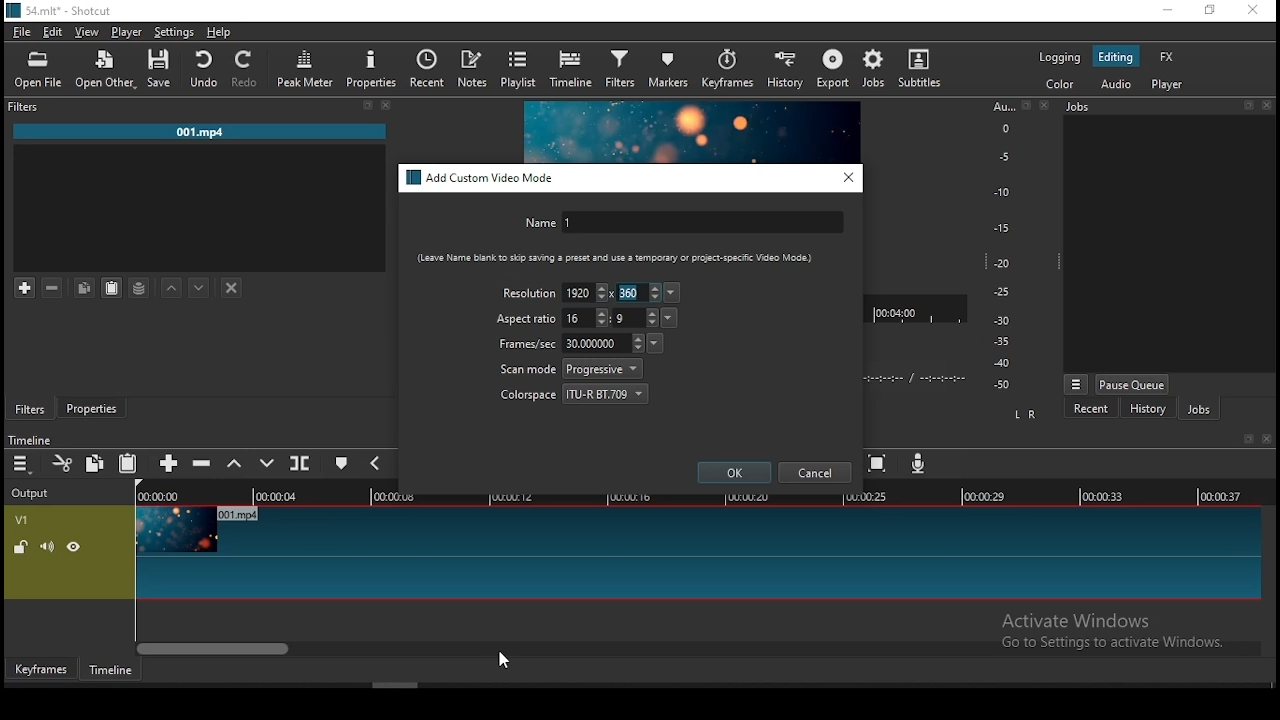 This screenshot has width=1280, height=720. What do you see at coordinates (1000, 227) in the screenshot?
I see `-15` at bounding box center [1000, 227].